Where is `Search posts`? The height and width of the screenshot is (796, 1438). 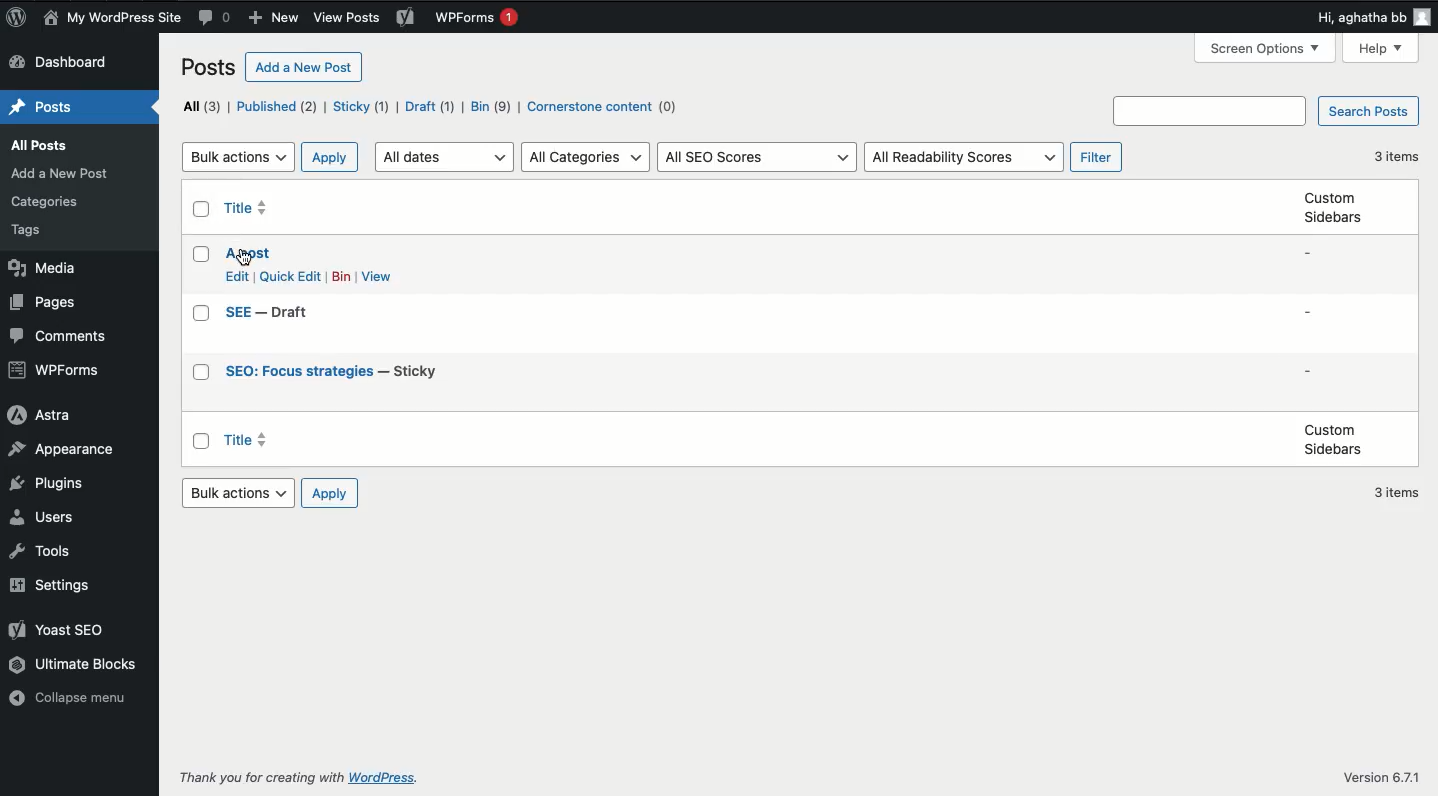
Search posts is located at coordinates (1265, 111).